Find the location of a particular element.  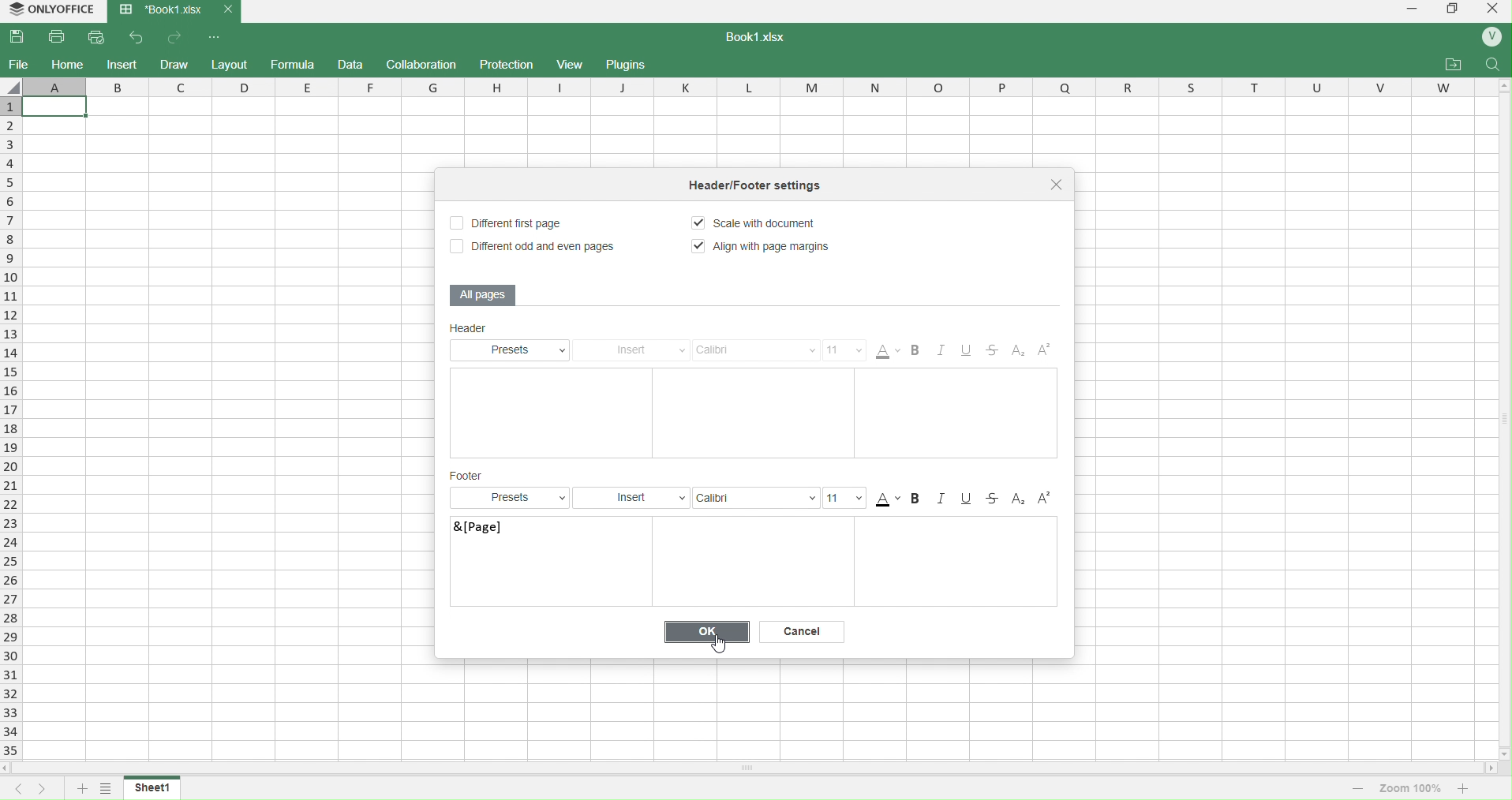

previous sheet is located at coordinates (13, 789).